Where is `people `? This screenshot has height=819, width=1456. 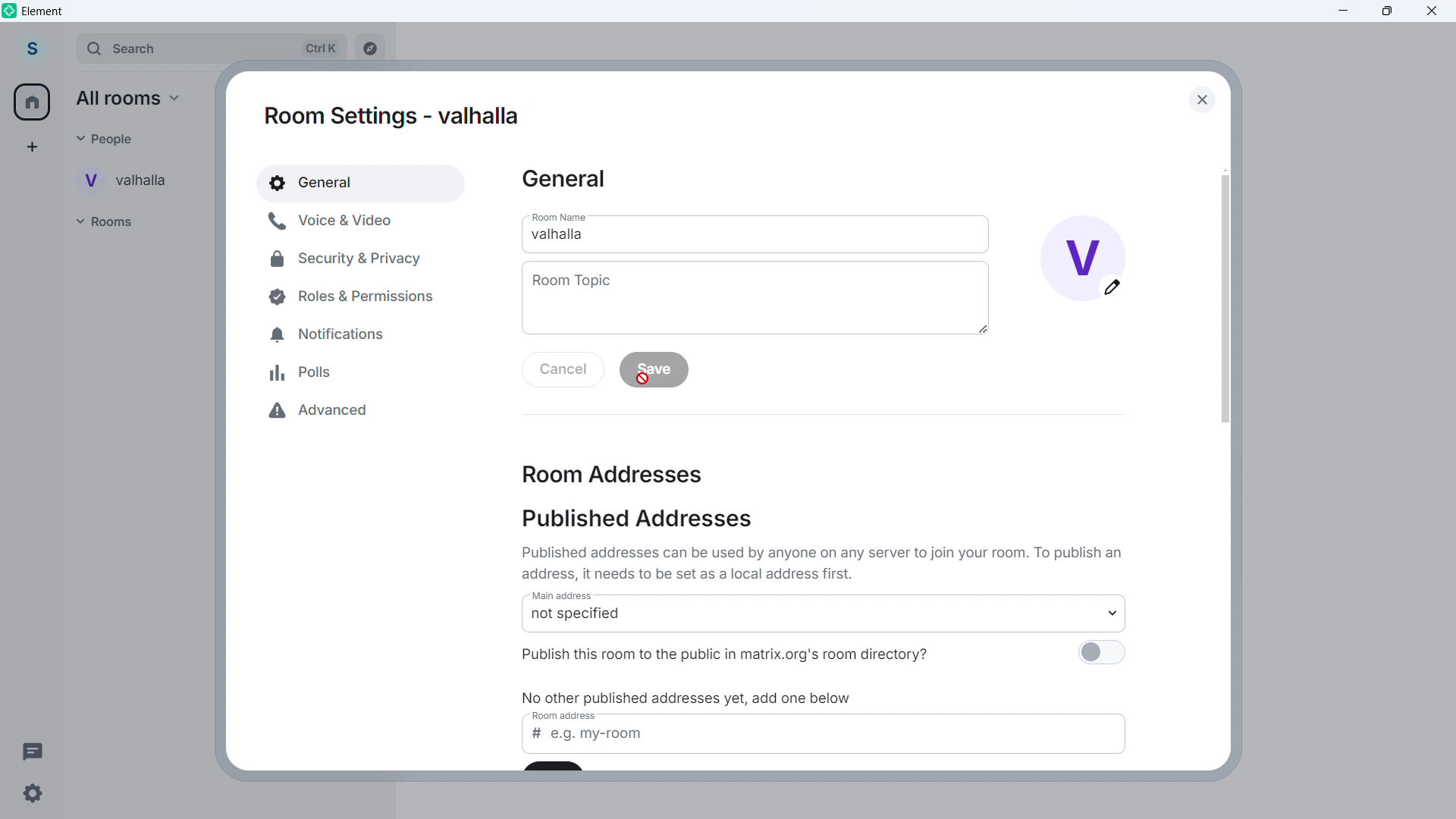 people  is located at coordinates (105, 138).